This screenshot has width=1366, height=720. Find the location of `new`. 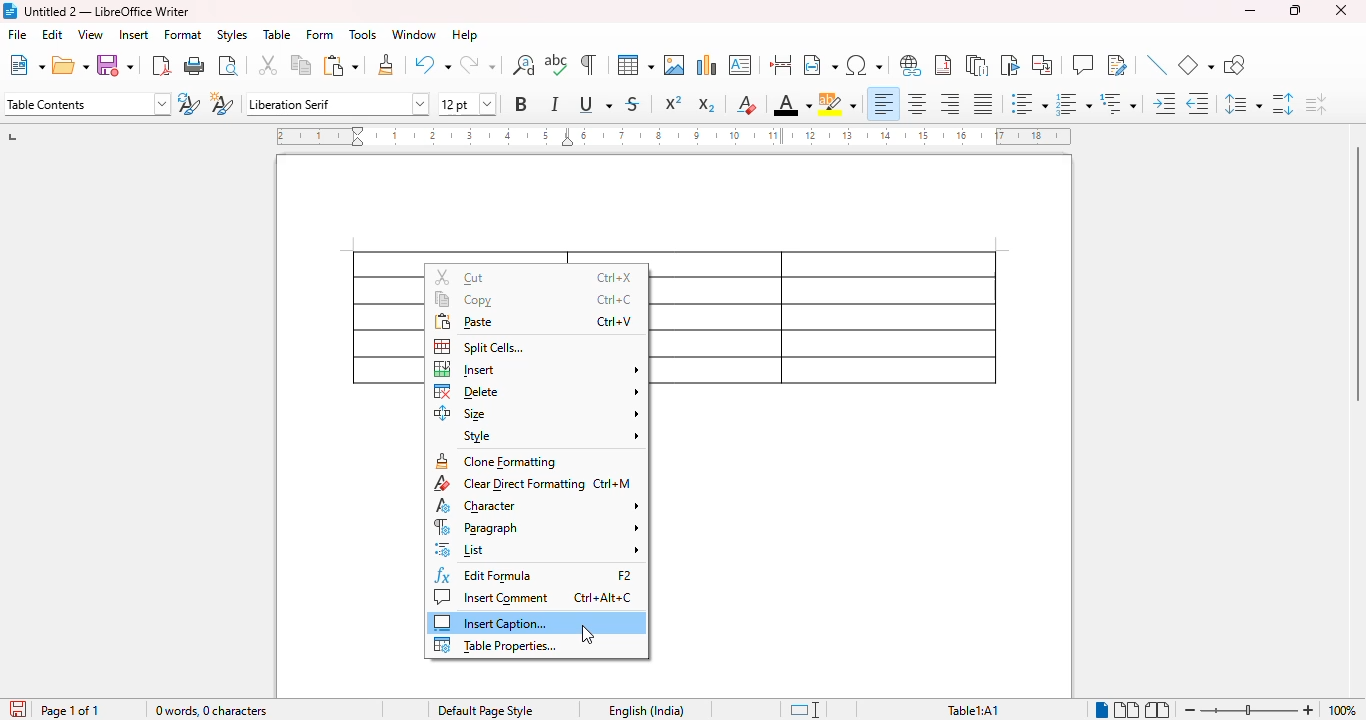

new is located at coordinates (27, 65).